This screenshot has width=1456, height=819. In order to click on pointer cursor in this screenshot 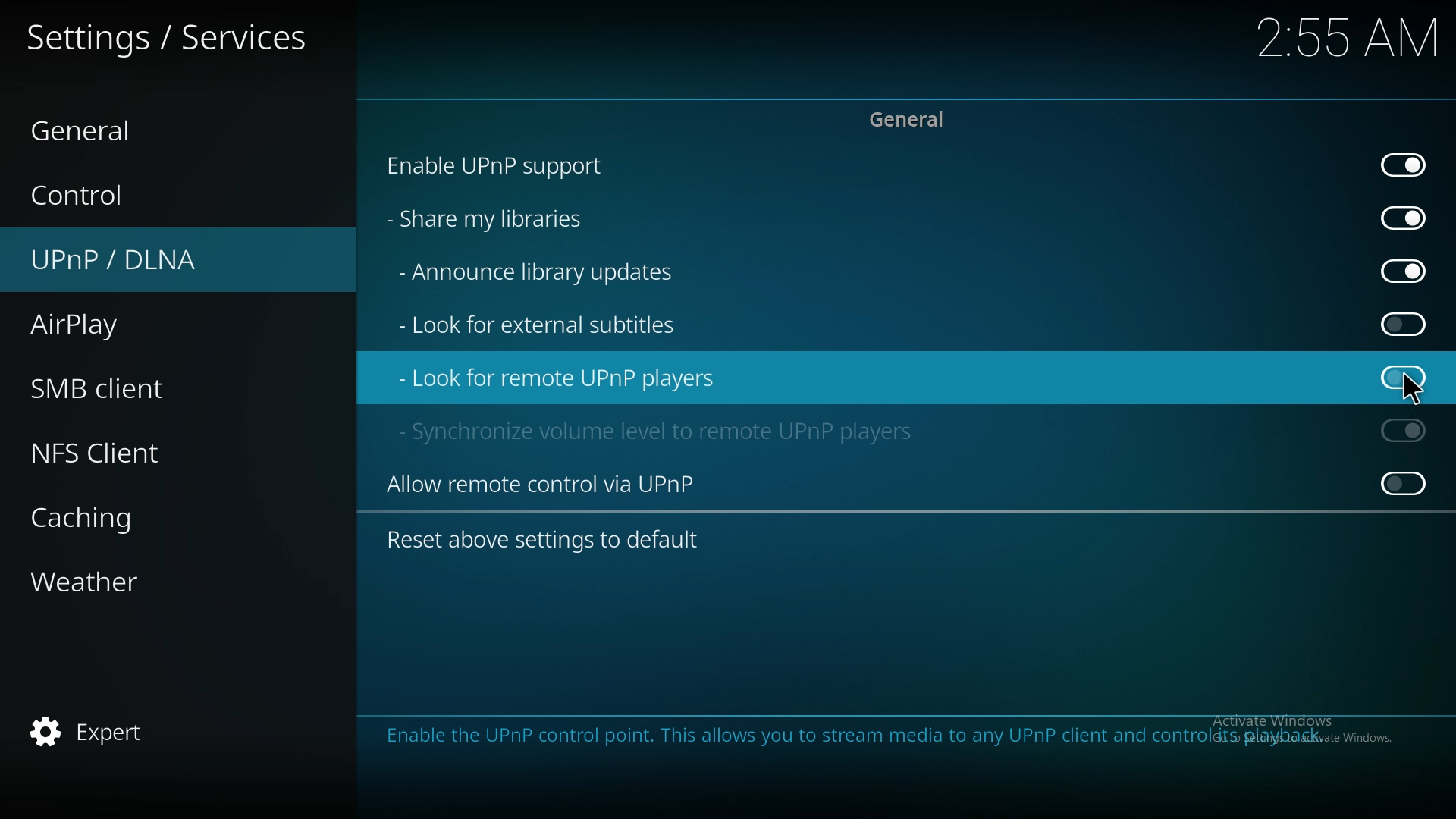, I will do `click(1413, 386)`.